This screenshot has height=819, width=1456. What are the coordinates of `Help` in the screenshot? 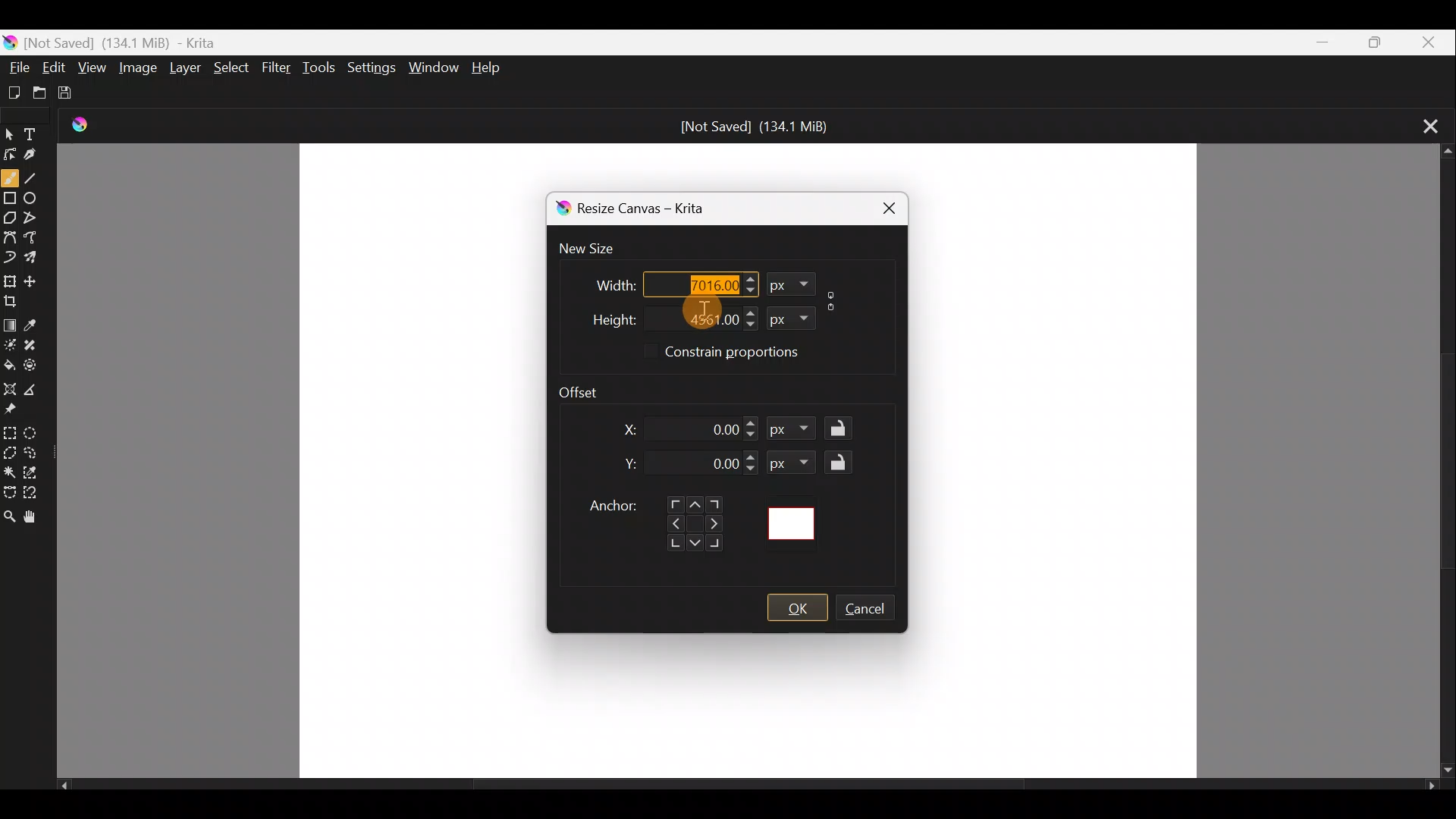 It's located at (491, 67).